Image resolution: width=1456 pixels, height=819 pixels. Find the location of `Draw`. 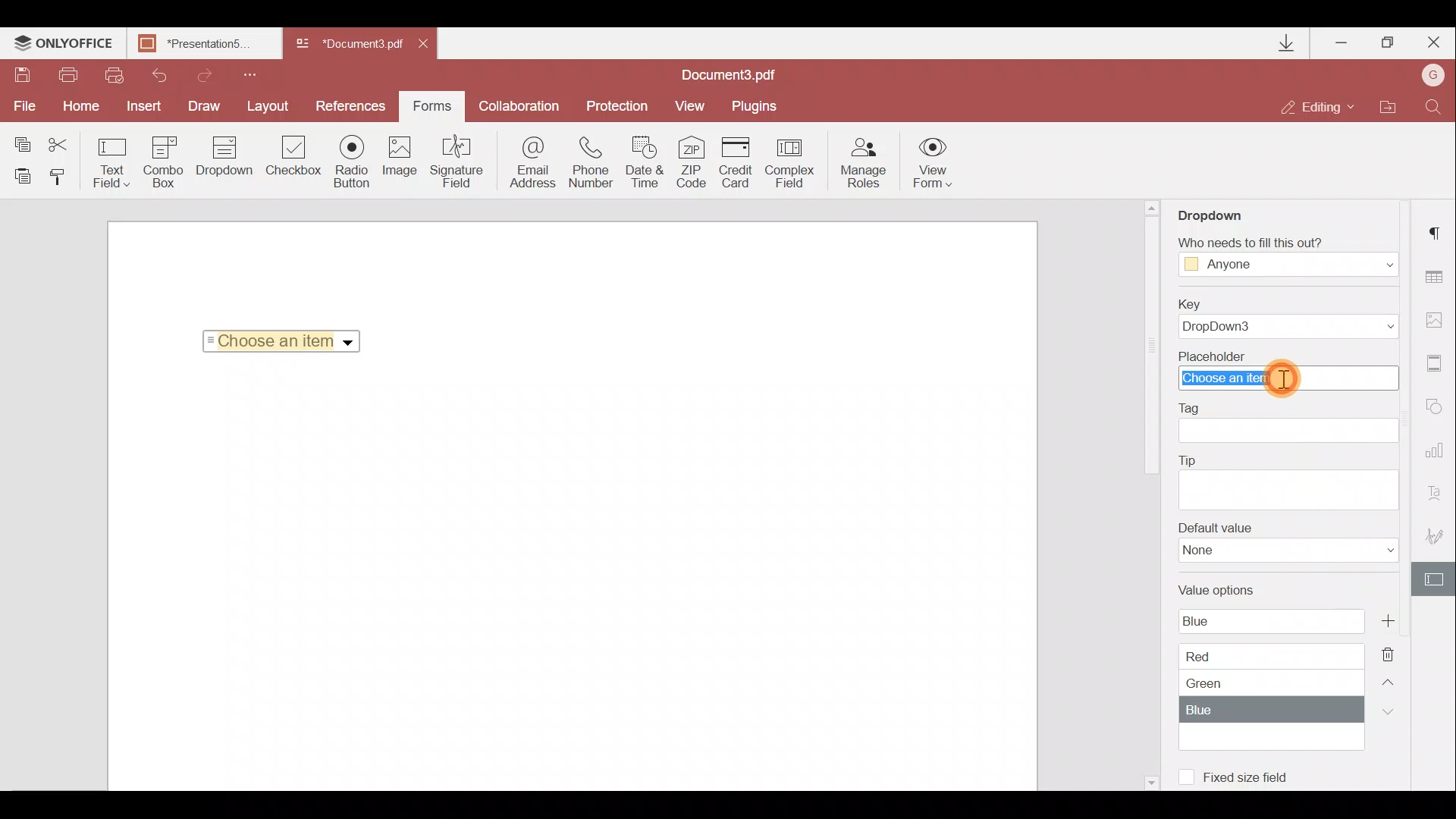

Draw is located at coordinates (208, 106).